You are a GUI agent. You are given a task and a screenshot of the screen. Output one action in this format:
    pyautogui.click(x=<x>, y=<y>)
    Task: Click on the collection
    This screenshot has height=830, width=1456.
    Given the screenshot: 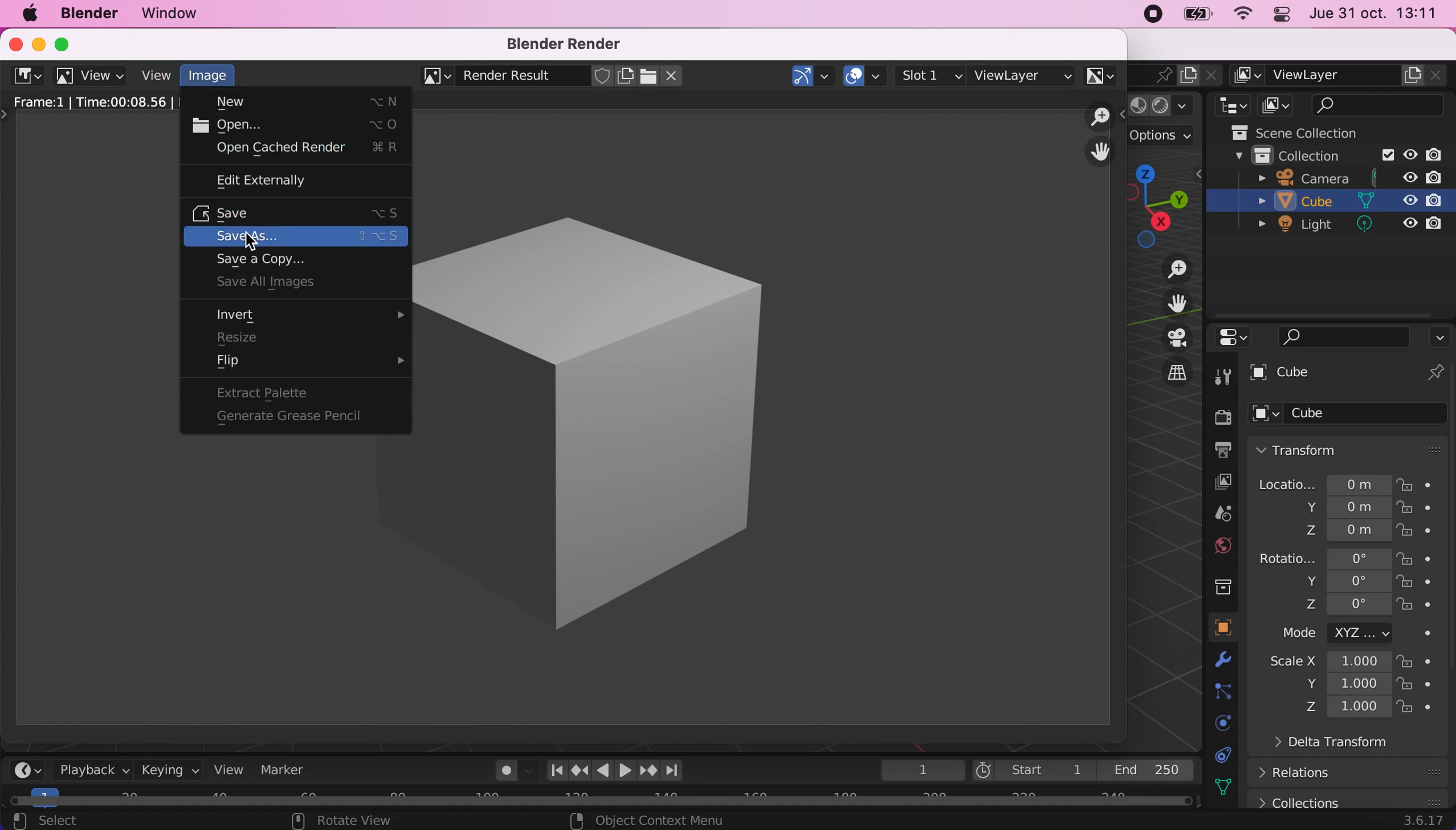 What is the action you would take?
    pyautogui.click(x=1328, y=154)
    